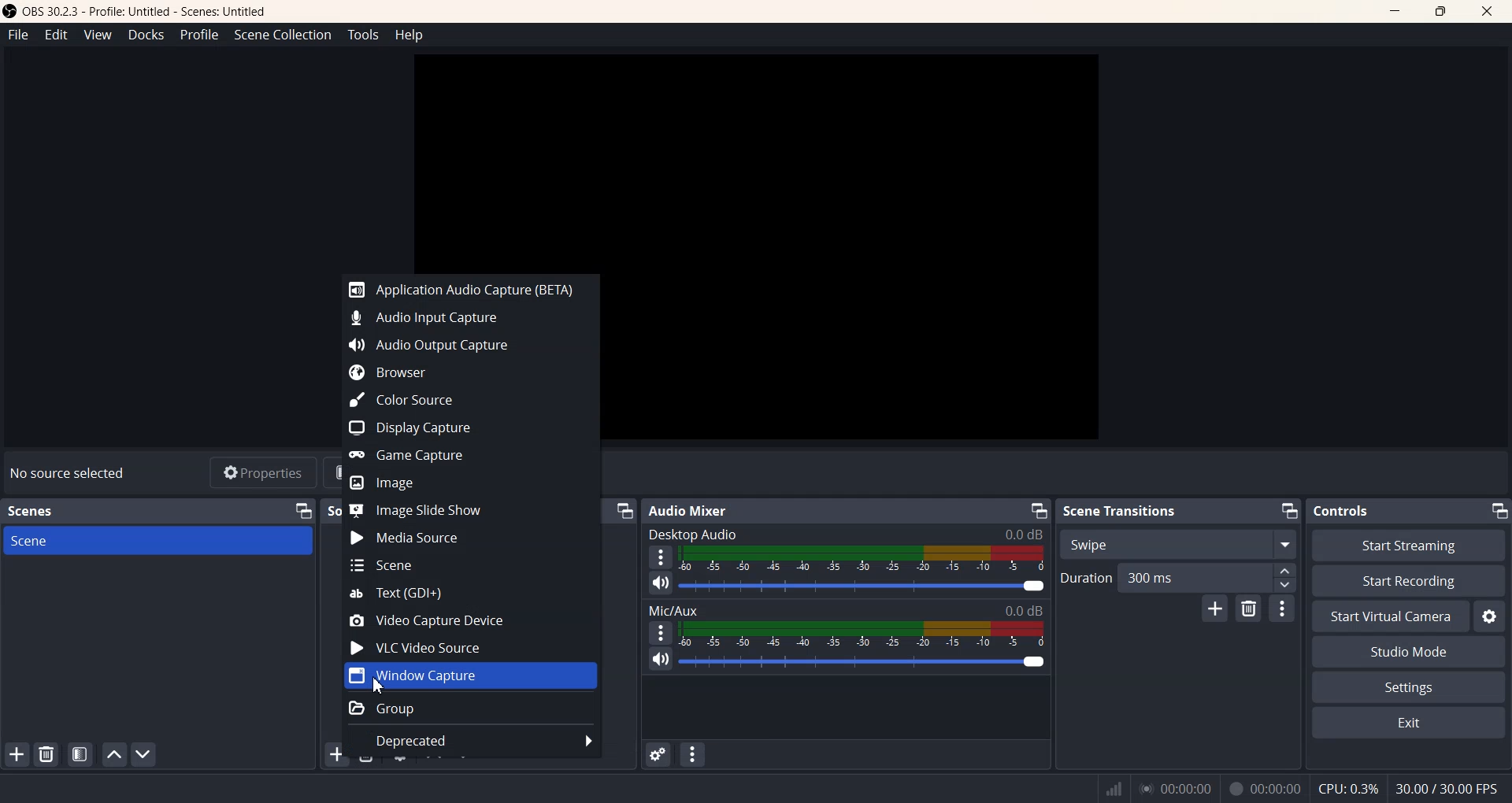 This screenshot has height=803, width=1512. What do you see at coordinates (80, 754) in the screenshot?
I see `Open scene Filter` at bounding box center [80, 754].